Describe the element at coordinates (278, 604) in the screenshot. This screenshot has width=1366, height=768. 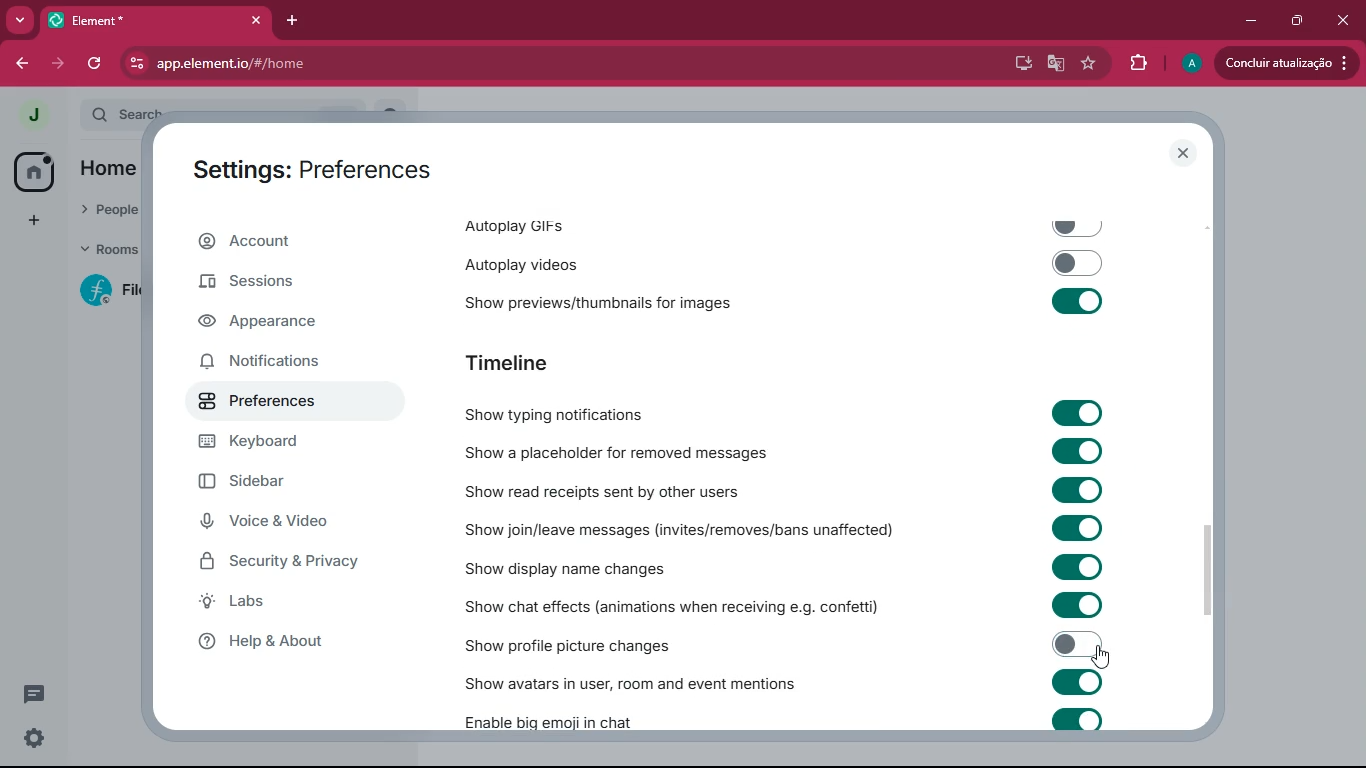
I see `labs` at that location.